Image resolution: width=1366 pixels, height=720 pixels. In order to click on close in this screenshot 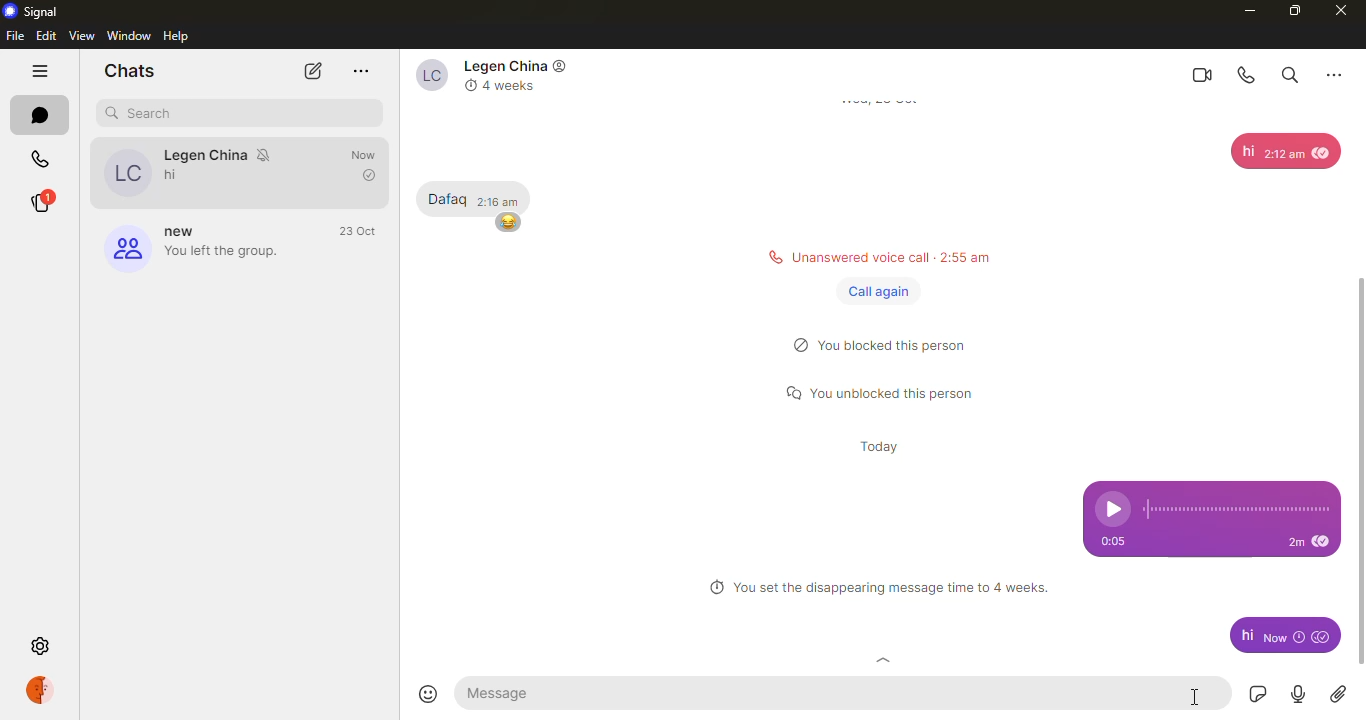, I will do `click(1342, 11)`.